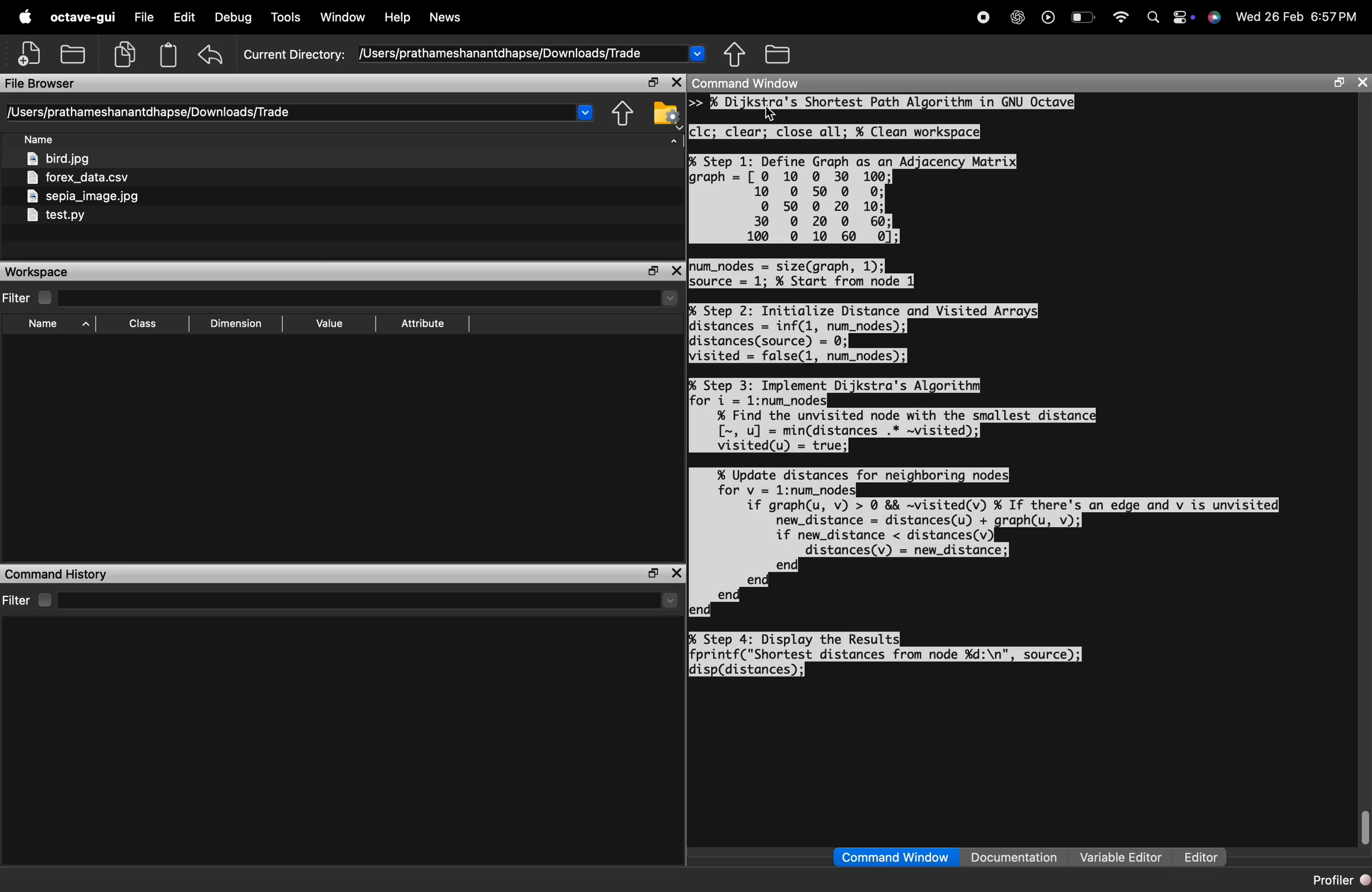 The image size is (1372, 892). What do you see at coordinates (651, 83) in the screenshot?
I see `maximize` at bounding box center [651, 83].